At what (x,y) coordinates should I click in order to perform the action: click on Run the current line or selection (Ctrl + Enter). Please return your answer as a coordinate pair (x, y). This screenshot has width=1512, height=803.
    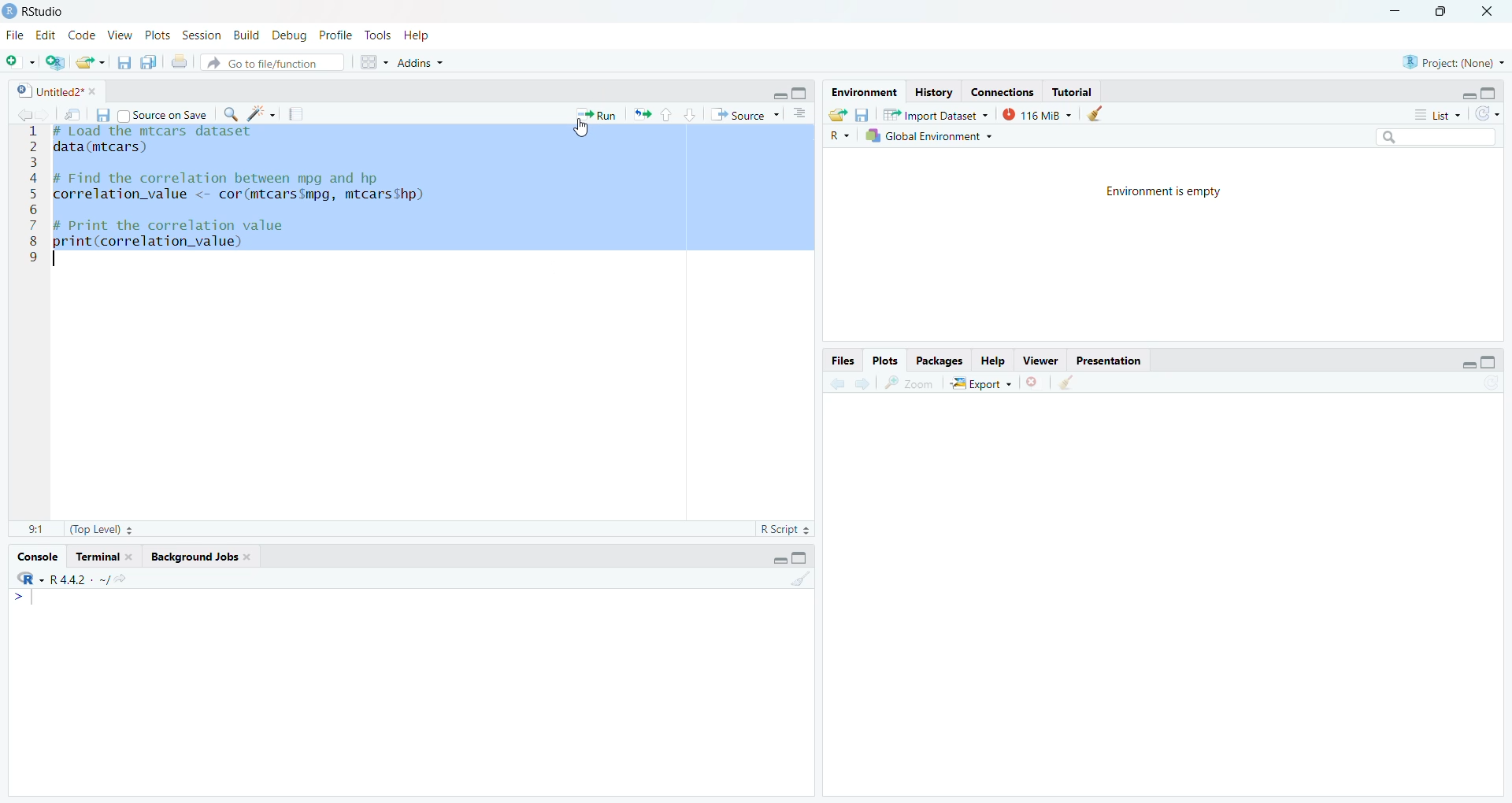
    Looking at the image, I should click on (598, 113).